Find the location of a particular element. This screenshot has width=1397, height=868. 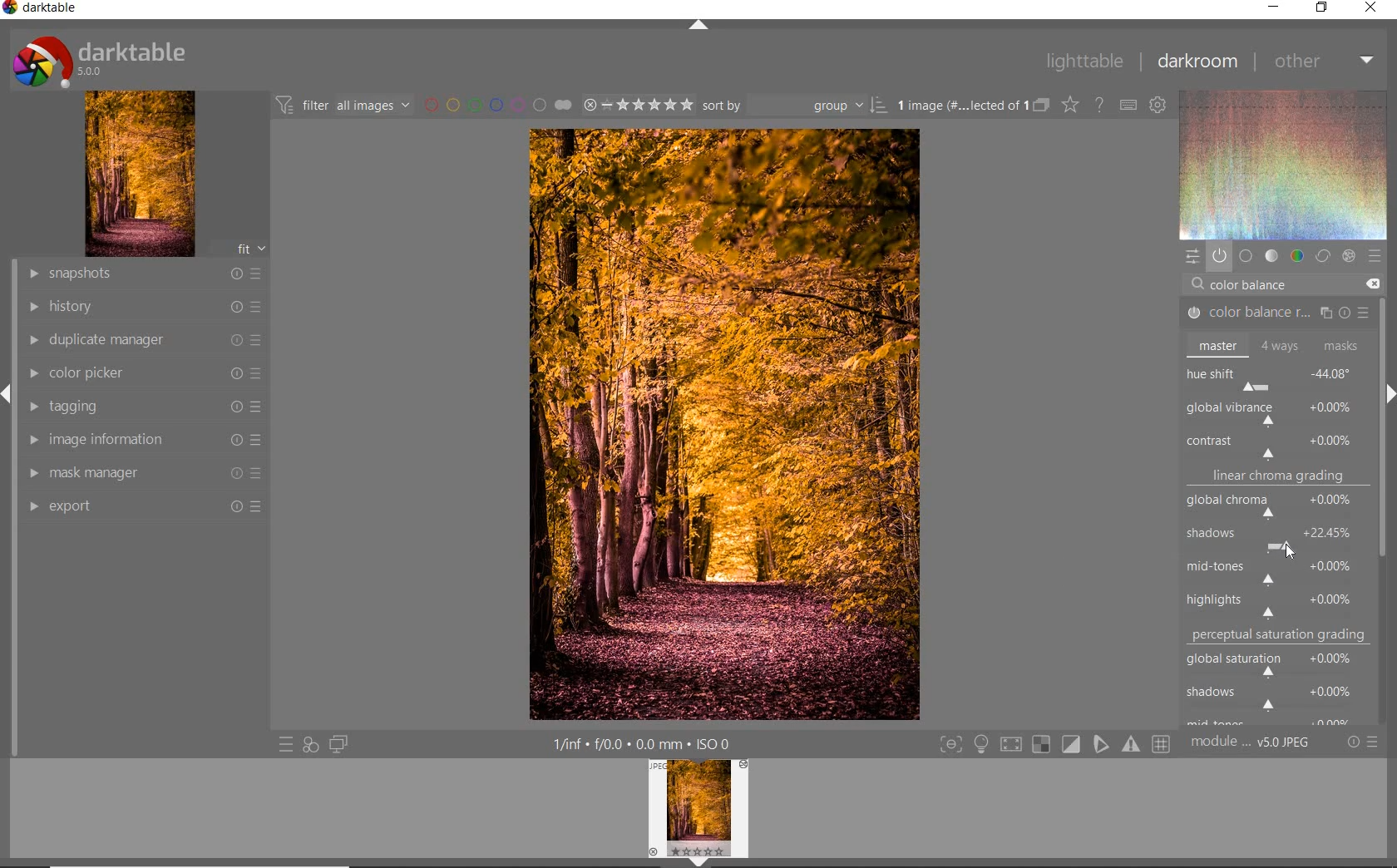

darkroom is located at coordinates (1198, 61).